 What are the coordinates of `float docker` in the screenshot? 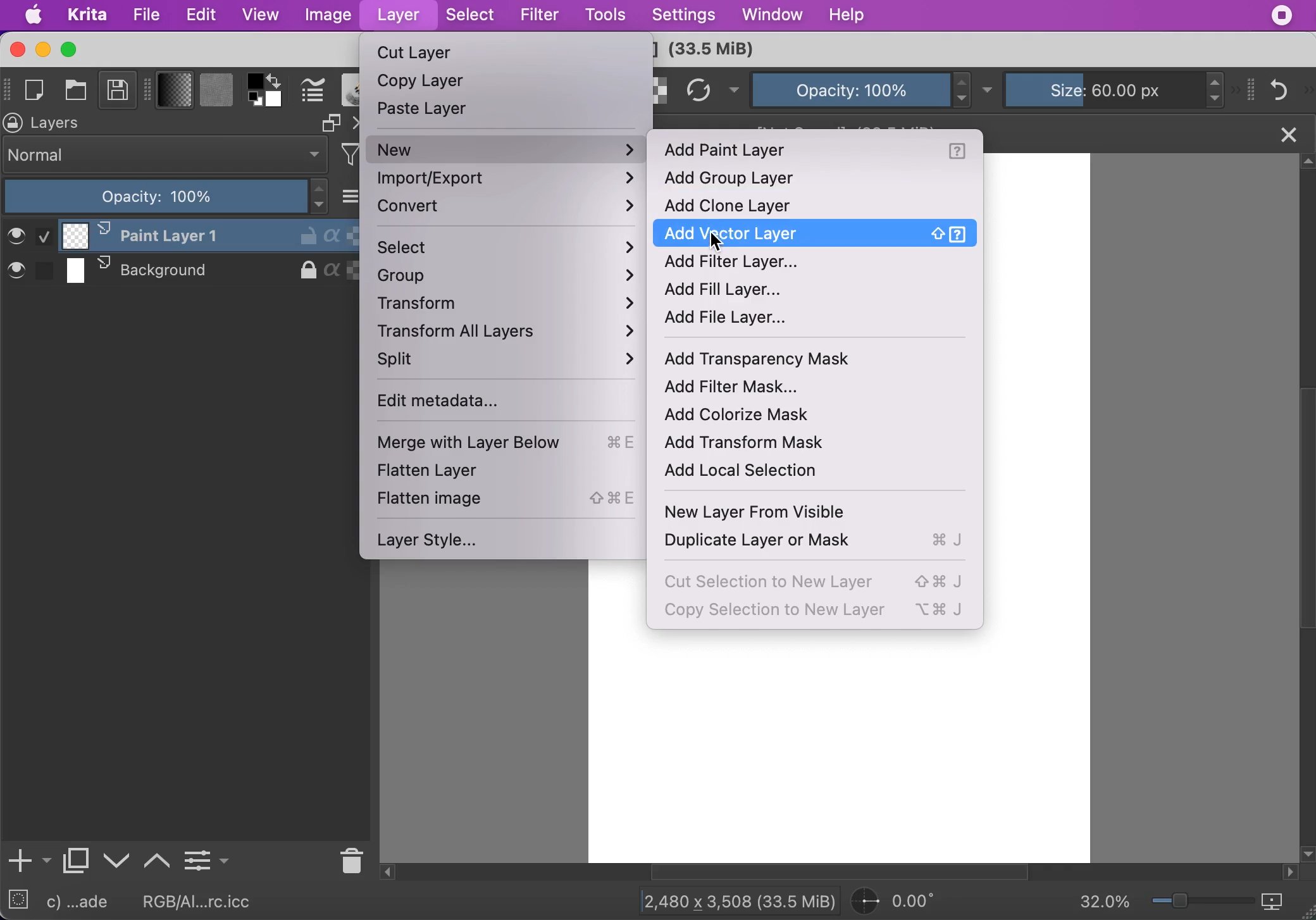 It's located at (330, 123).